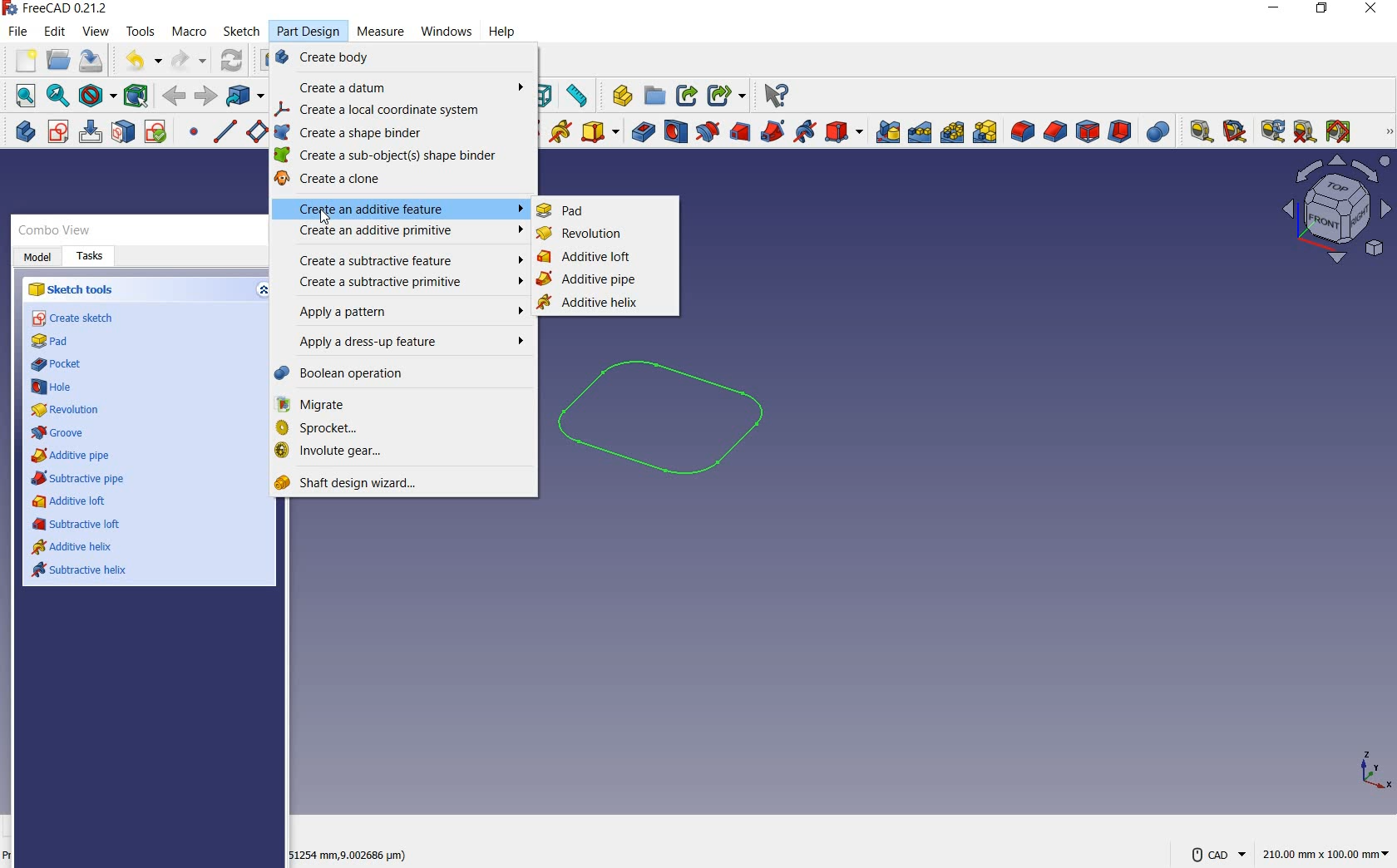 The width and height of the screenshot is (1397, 868). I want to click on Share options, so click(728, 93).